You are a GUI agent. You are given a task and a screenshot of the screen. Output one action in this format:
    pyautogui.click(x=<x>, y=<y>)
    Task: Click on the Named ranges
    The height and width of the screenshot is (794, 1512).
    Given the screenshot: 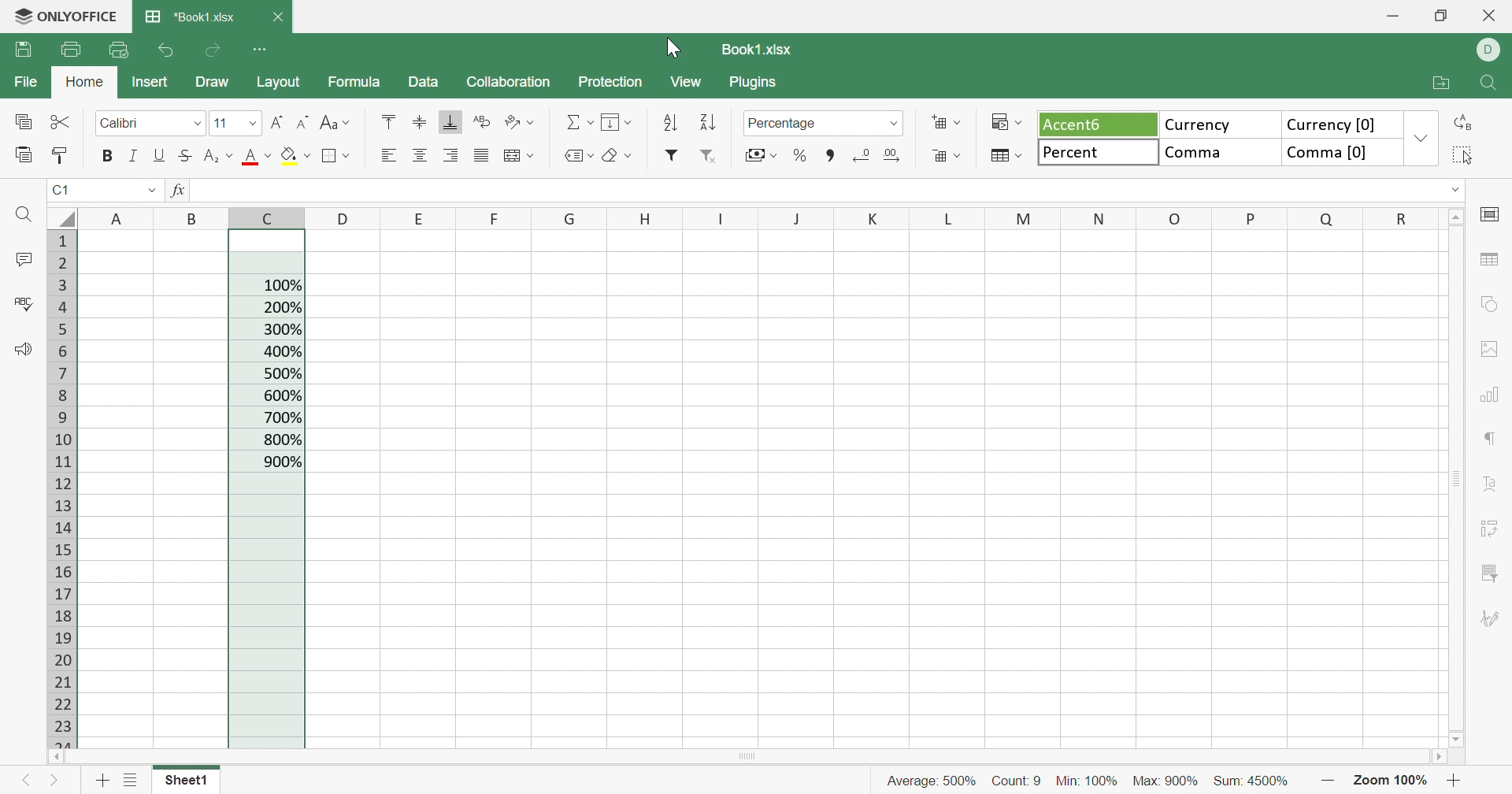 What is the action you would take?
    pyautogui.click(x=577, y=155)
    